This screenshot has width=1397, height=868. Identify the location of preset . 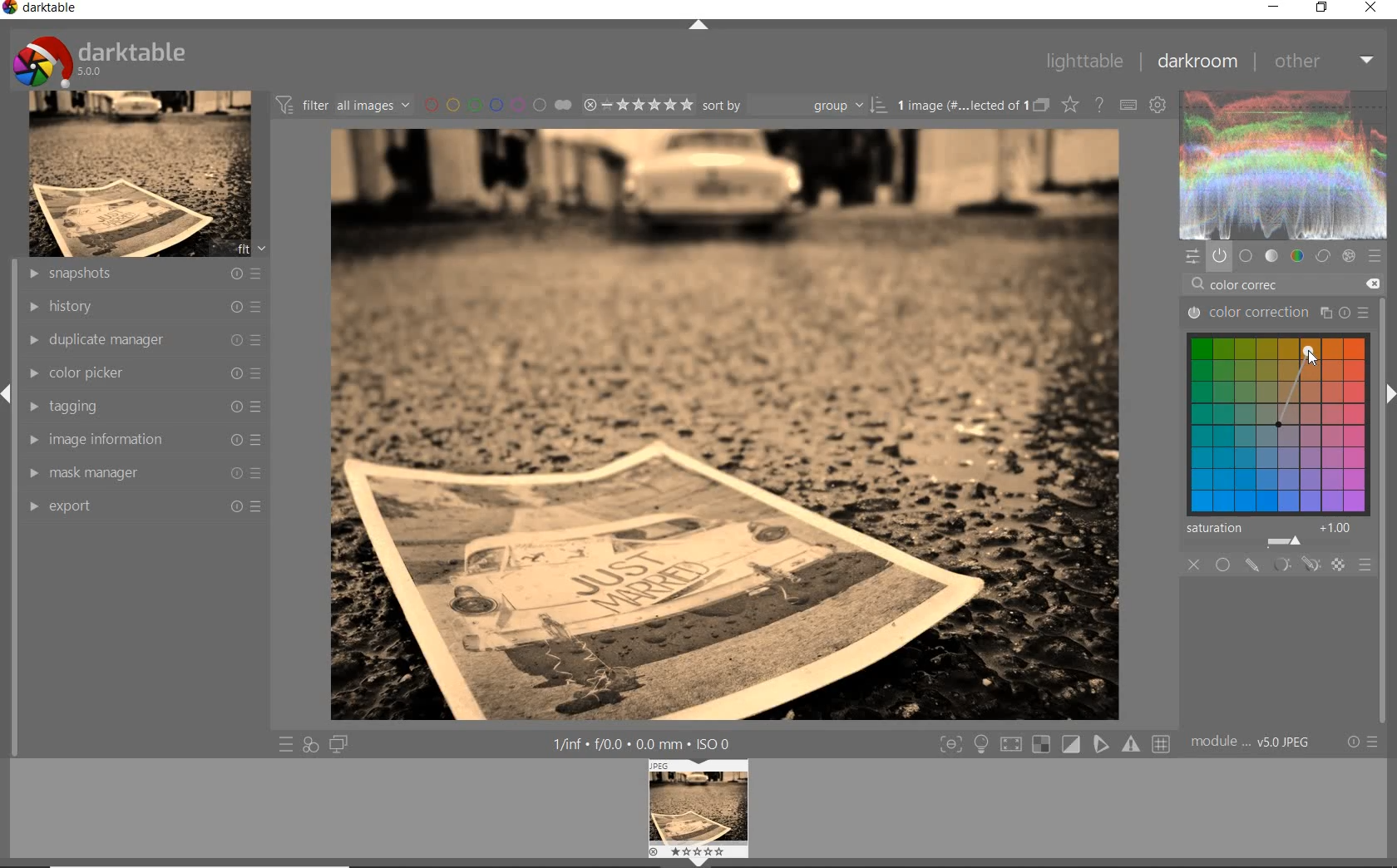
(1375, 257).